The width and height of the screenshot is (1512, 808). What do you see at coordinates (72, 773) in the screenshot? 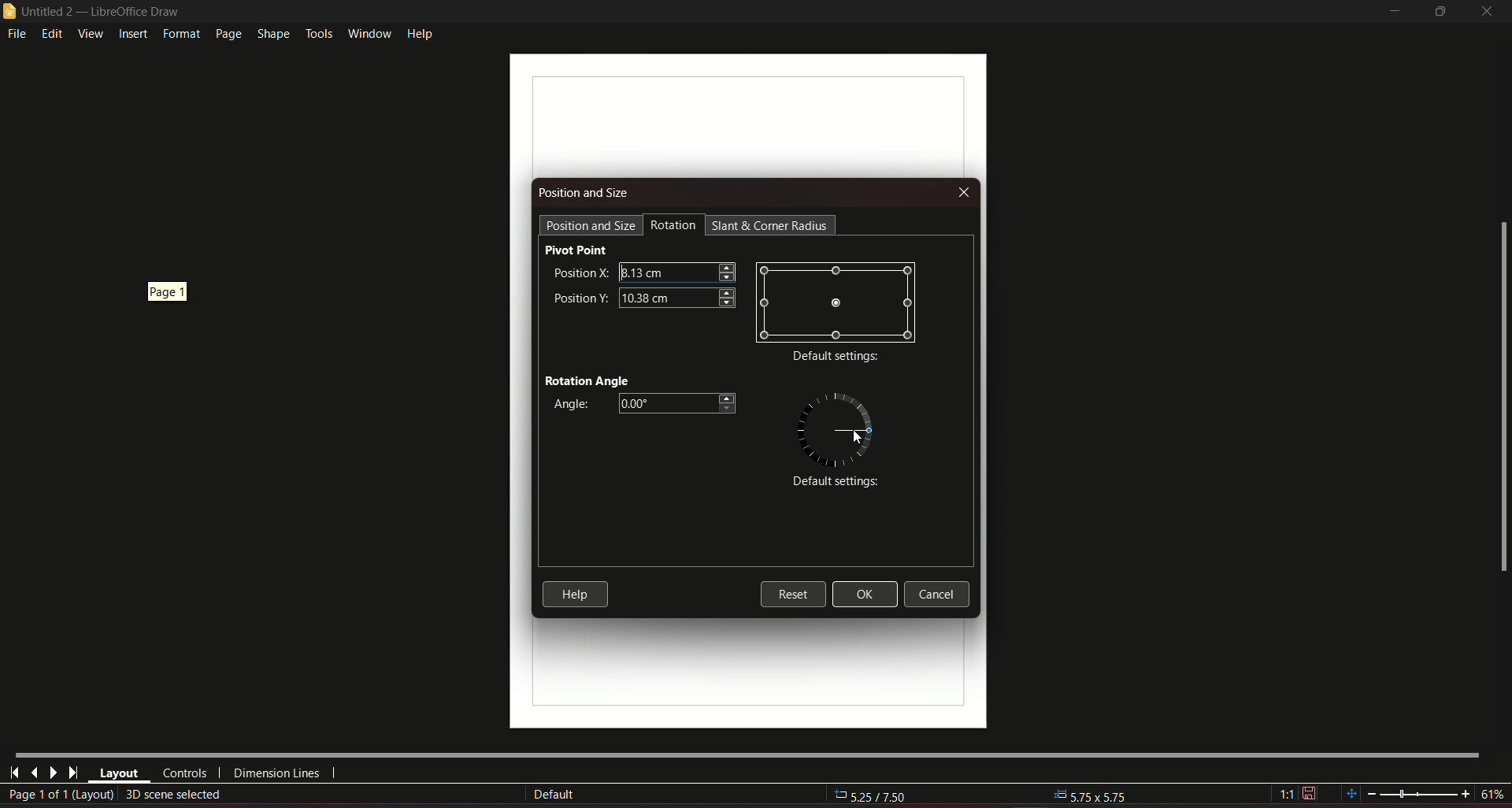
I see `last page` at bounding box center [72, 773].